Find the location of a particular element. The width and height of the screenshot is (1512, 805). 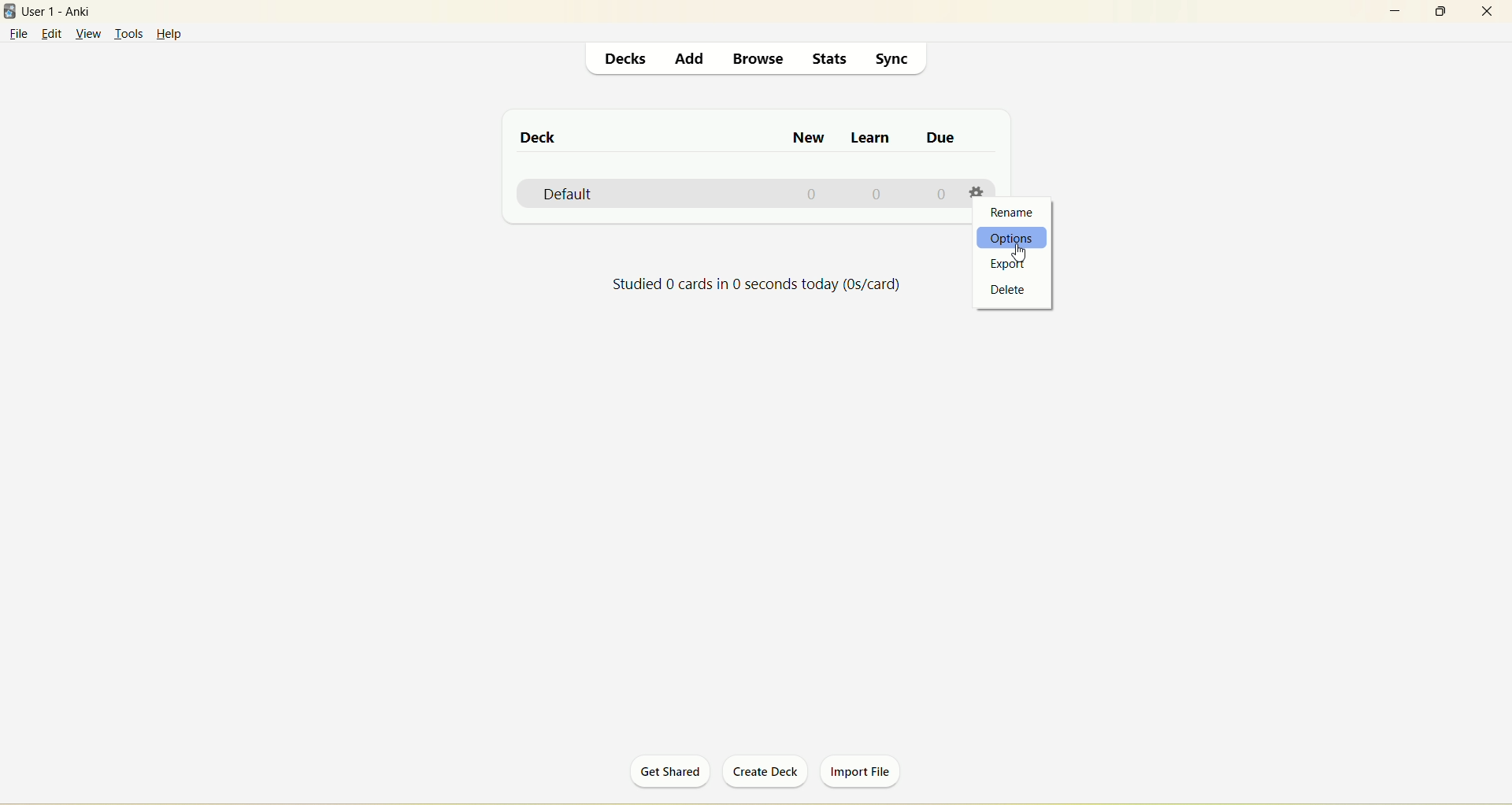

edit is located at coordinates (53, 35).